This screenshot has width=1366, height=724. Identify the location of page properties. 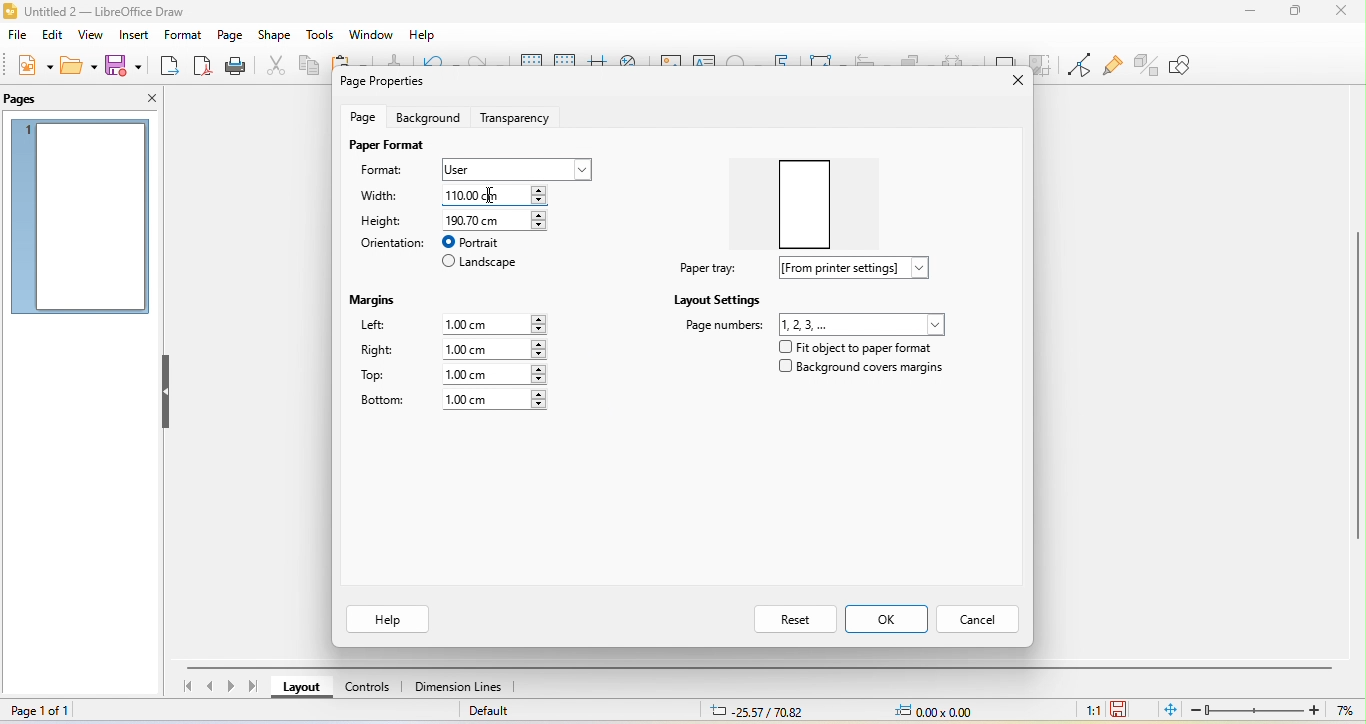
(388, 83).